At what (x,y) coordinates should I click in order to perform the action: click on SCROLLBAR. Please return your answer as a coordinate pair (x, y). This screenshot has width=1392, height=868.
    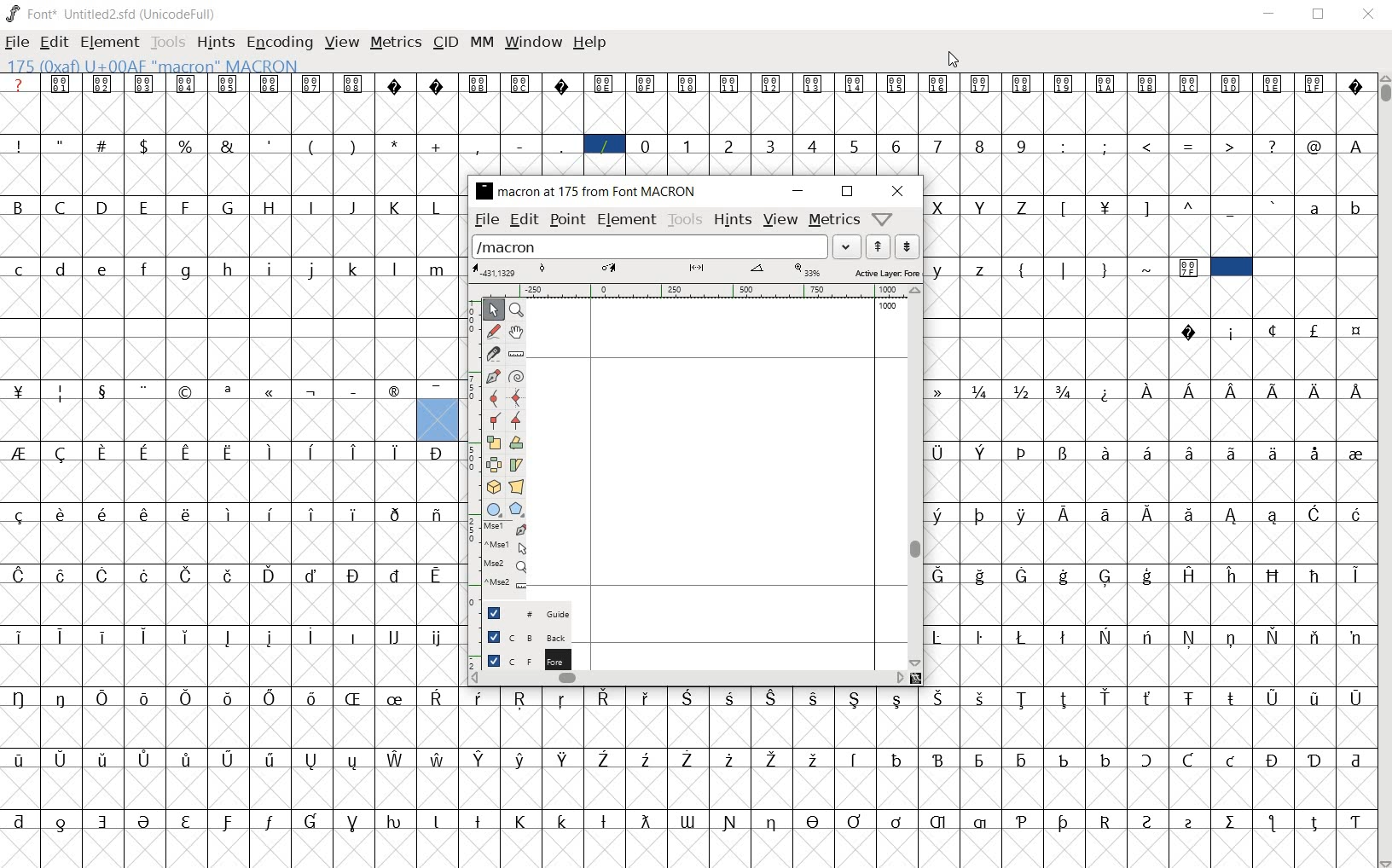
    Looking at the image, I should click on (1383, 472).